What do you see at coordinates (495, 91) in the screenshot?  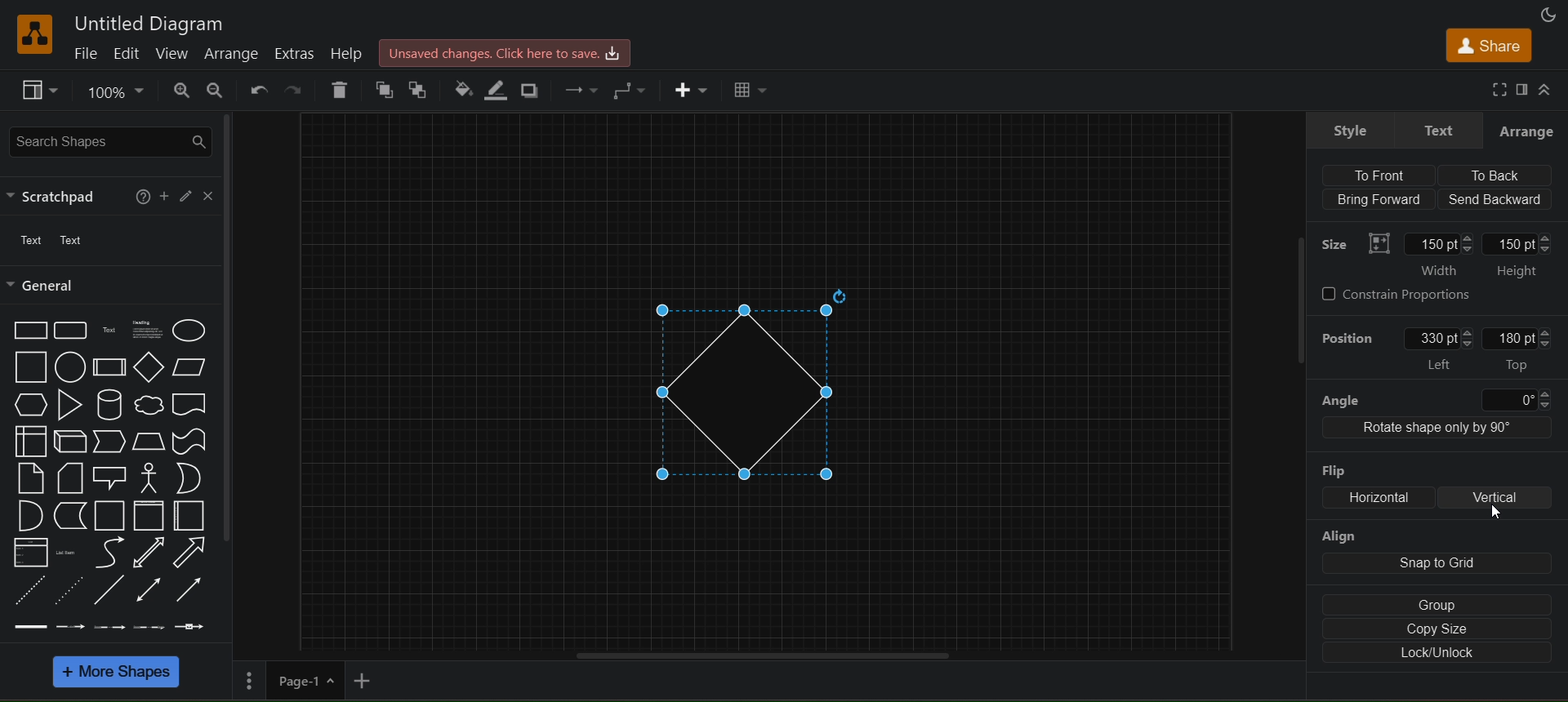 I see `line color` at bounding box center [495, 91].